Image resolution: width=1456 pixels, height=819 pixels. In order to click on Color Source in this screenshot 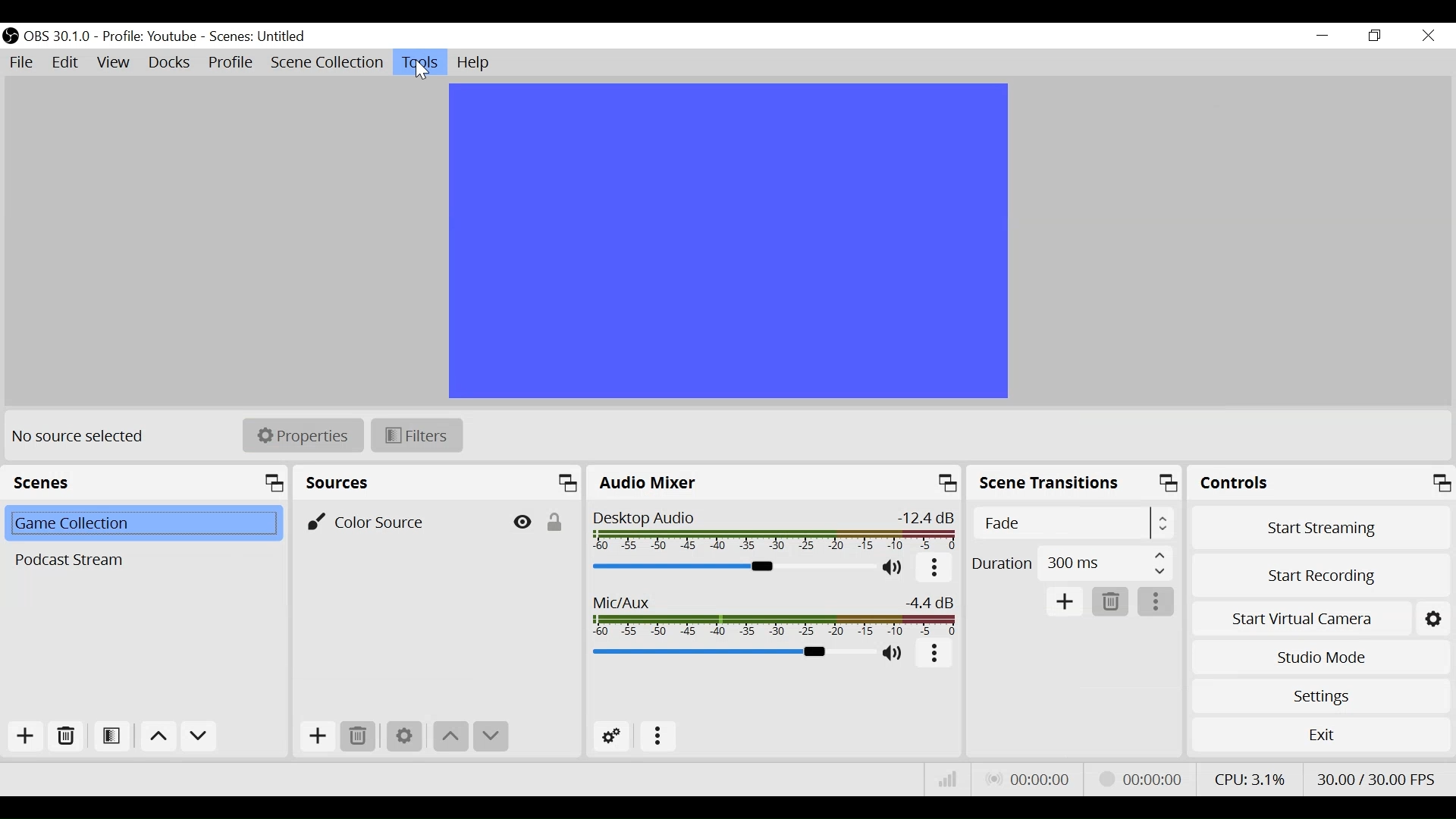, I will do `click(395, 520)`.